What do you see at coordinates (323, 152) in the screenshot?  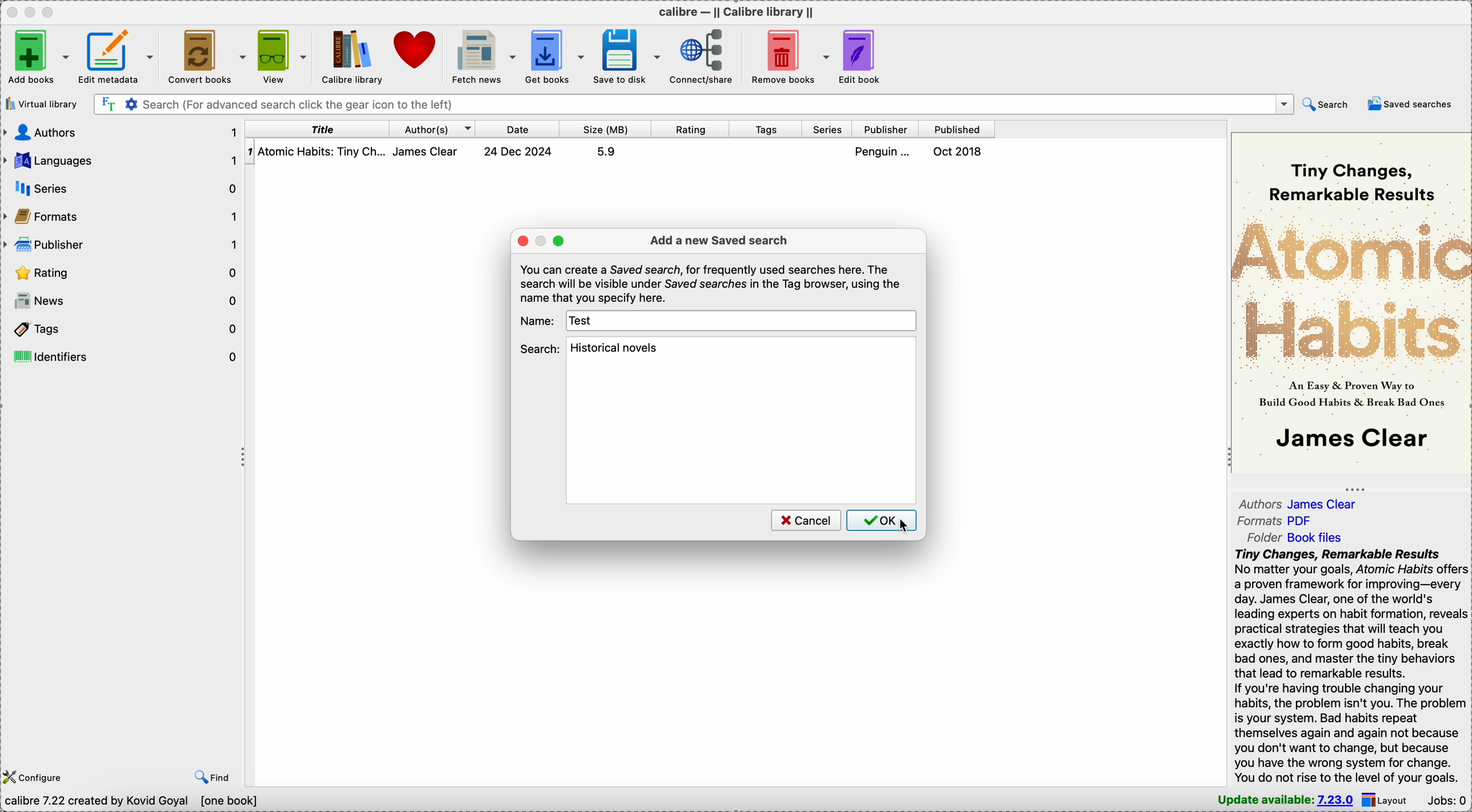 I see `atomic habits: Tiny changes, remarkable results` at bounding box center [323, 152].